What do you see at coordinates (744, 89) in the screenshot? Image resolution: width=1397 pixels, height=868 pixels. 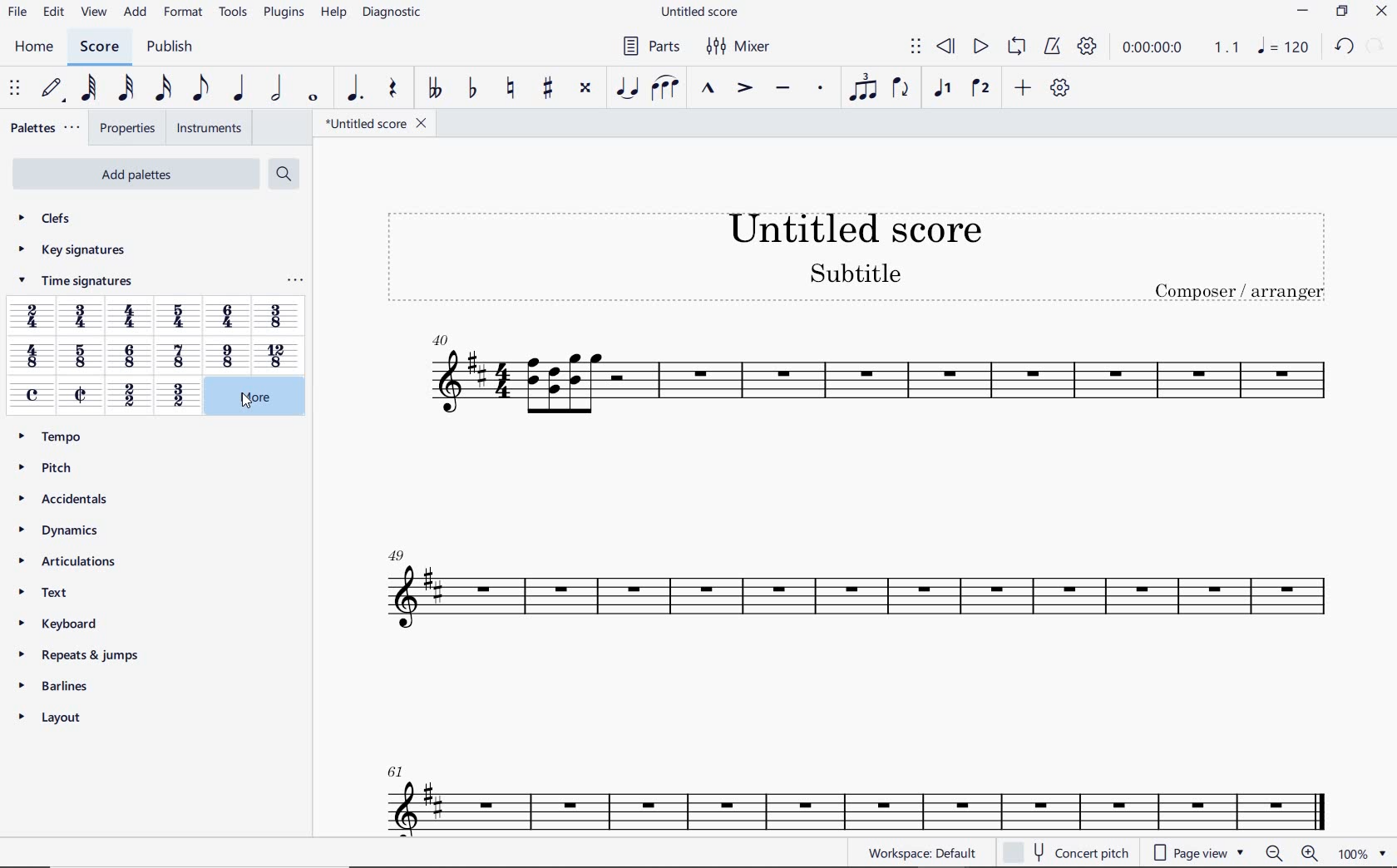 I see `ACCENT` at bounding box center [744, 89].